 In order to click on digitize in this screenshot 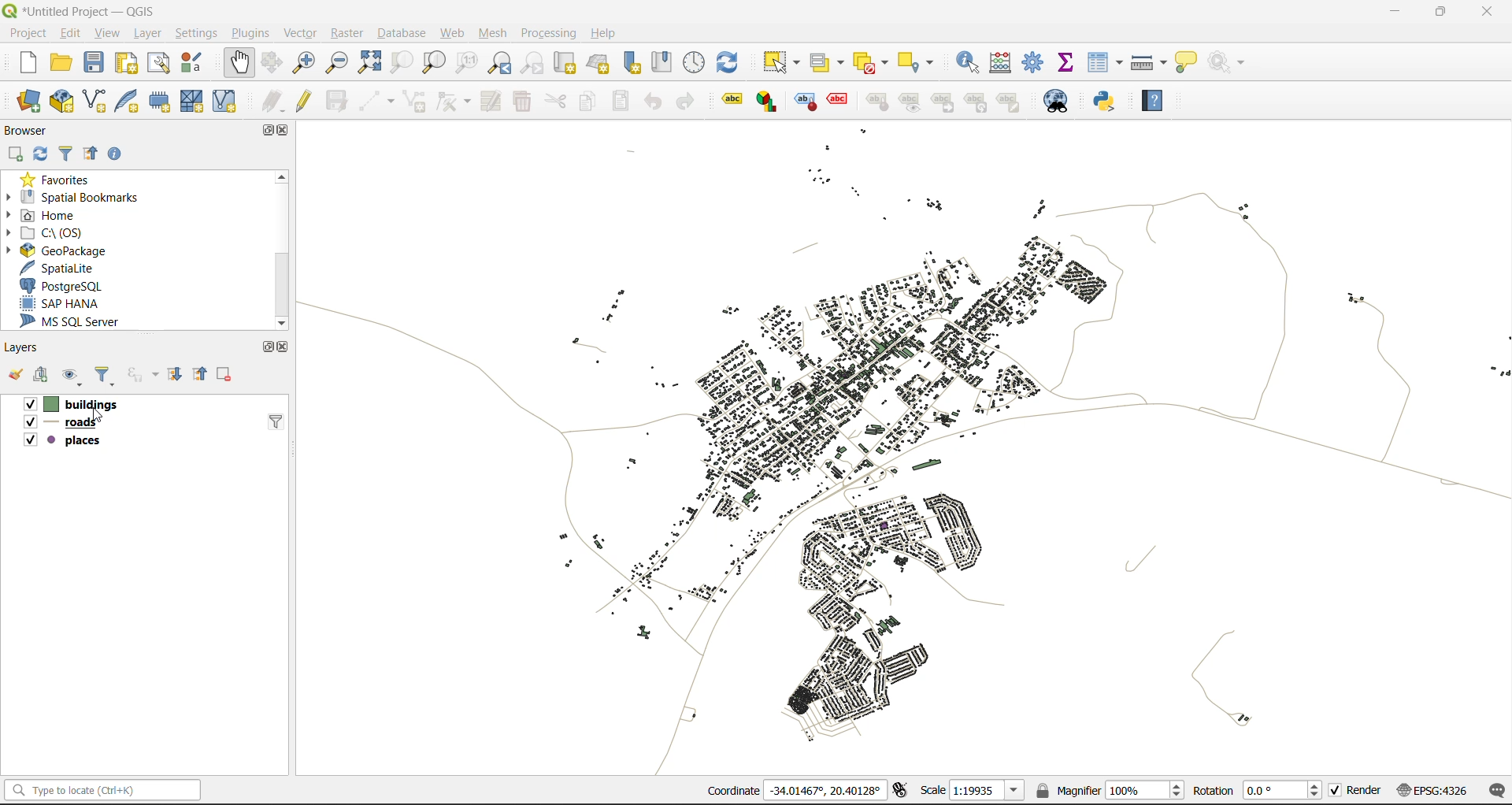, I will do `click(372, 101)`.